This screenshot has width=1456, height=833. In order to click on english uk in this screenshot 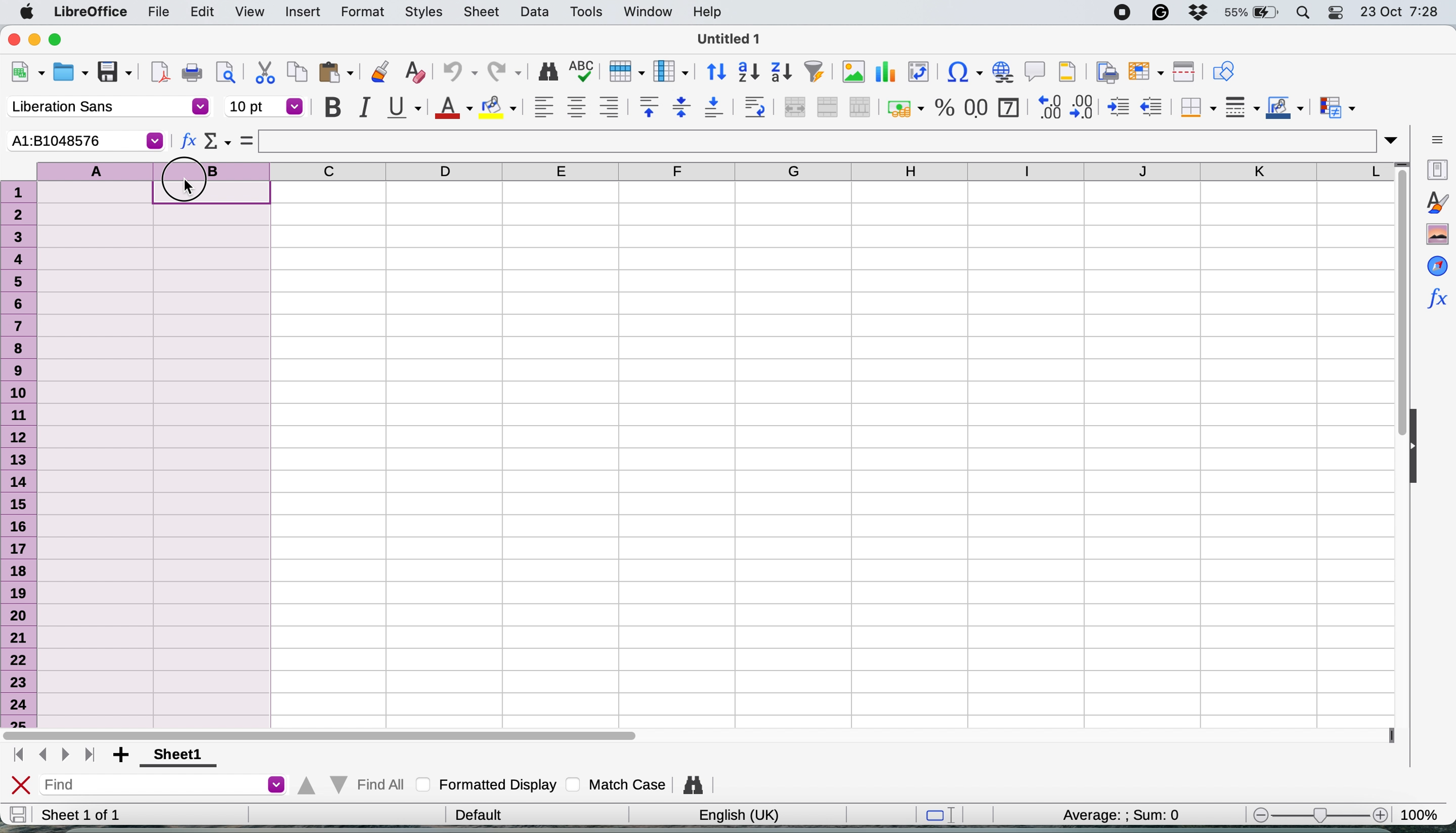, I will do `click(732, 816)`.